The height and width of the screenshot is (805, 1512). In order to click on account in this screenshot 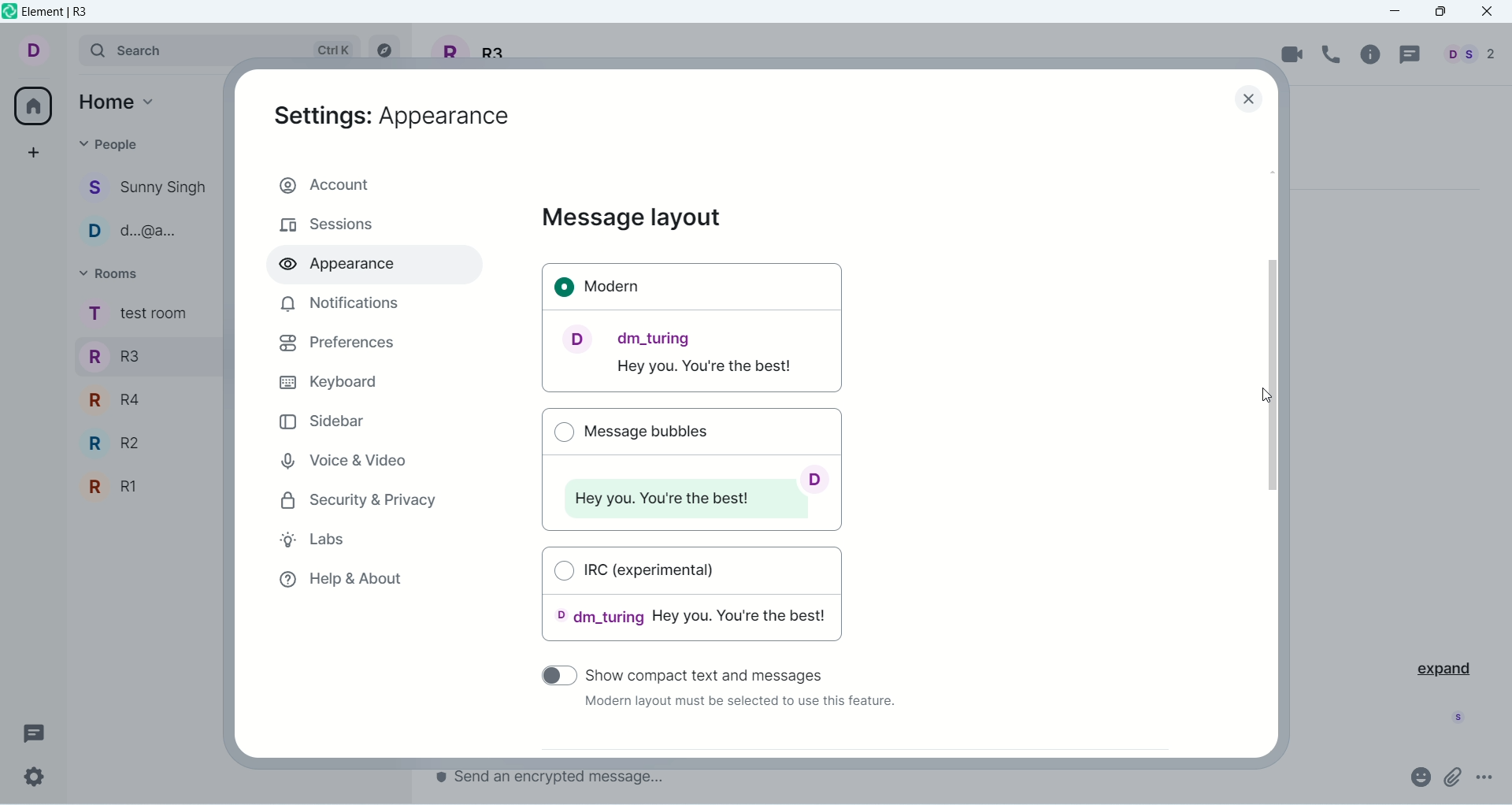, I will do `click(374, 183)`.